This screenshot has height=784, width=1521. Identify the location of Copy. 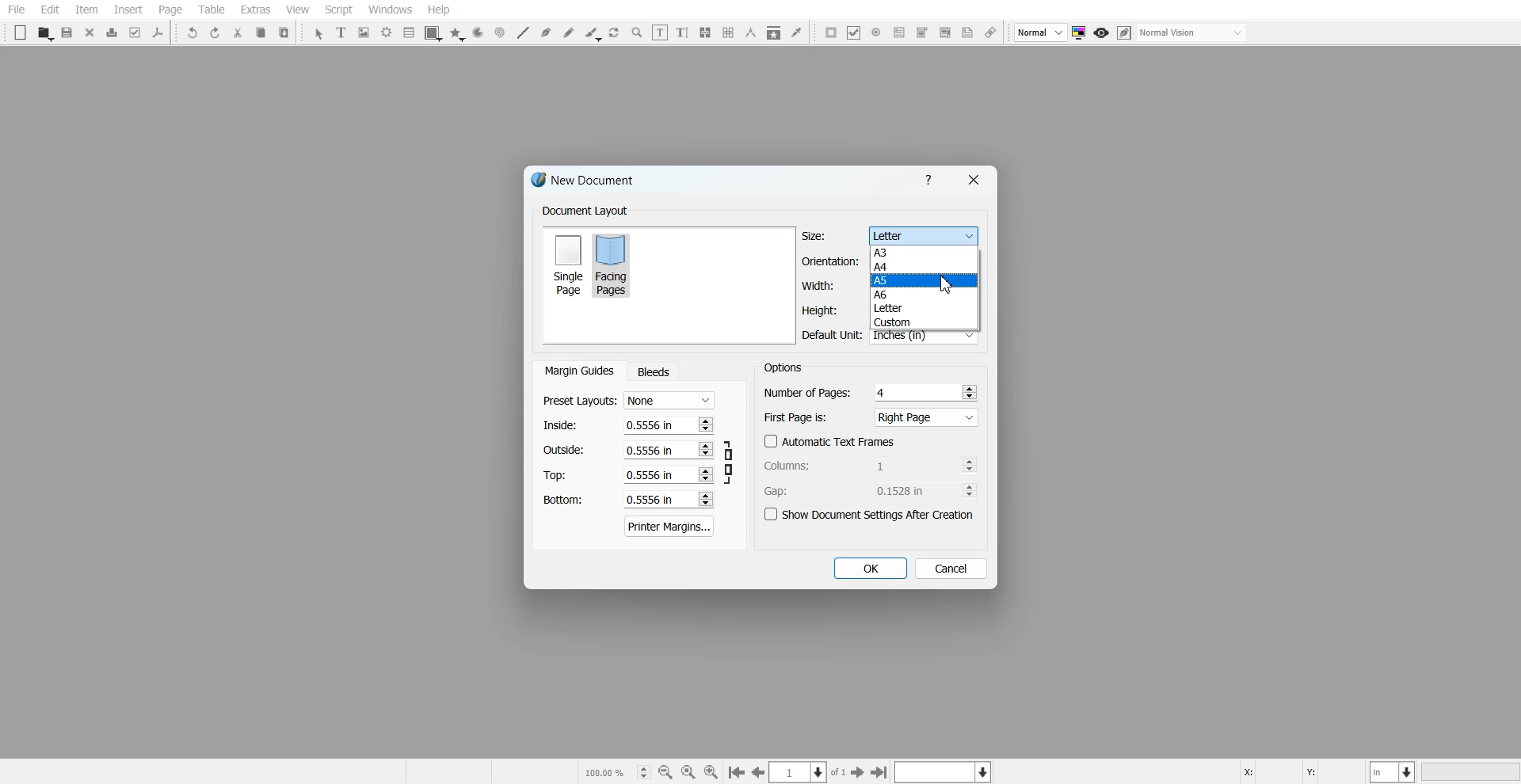
(260, 32).